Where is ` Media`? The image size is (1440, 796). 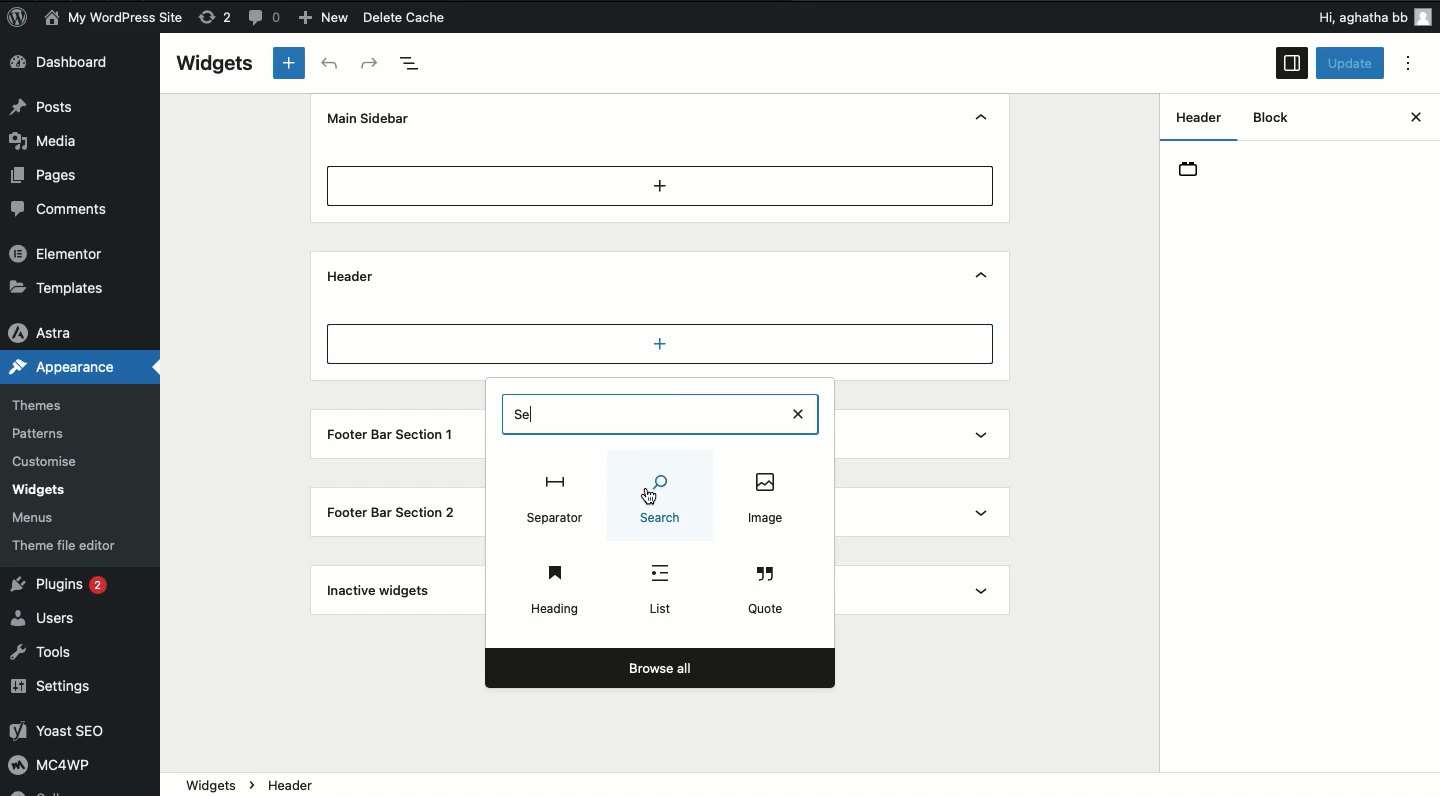
 Media is located at coordinates (56, 139).